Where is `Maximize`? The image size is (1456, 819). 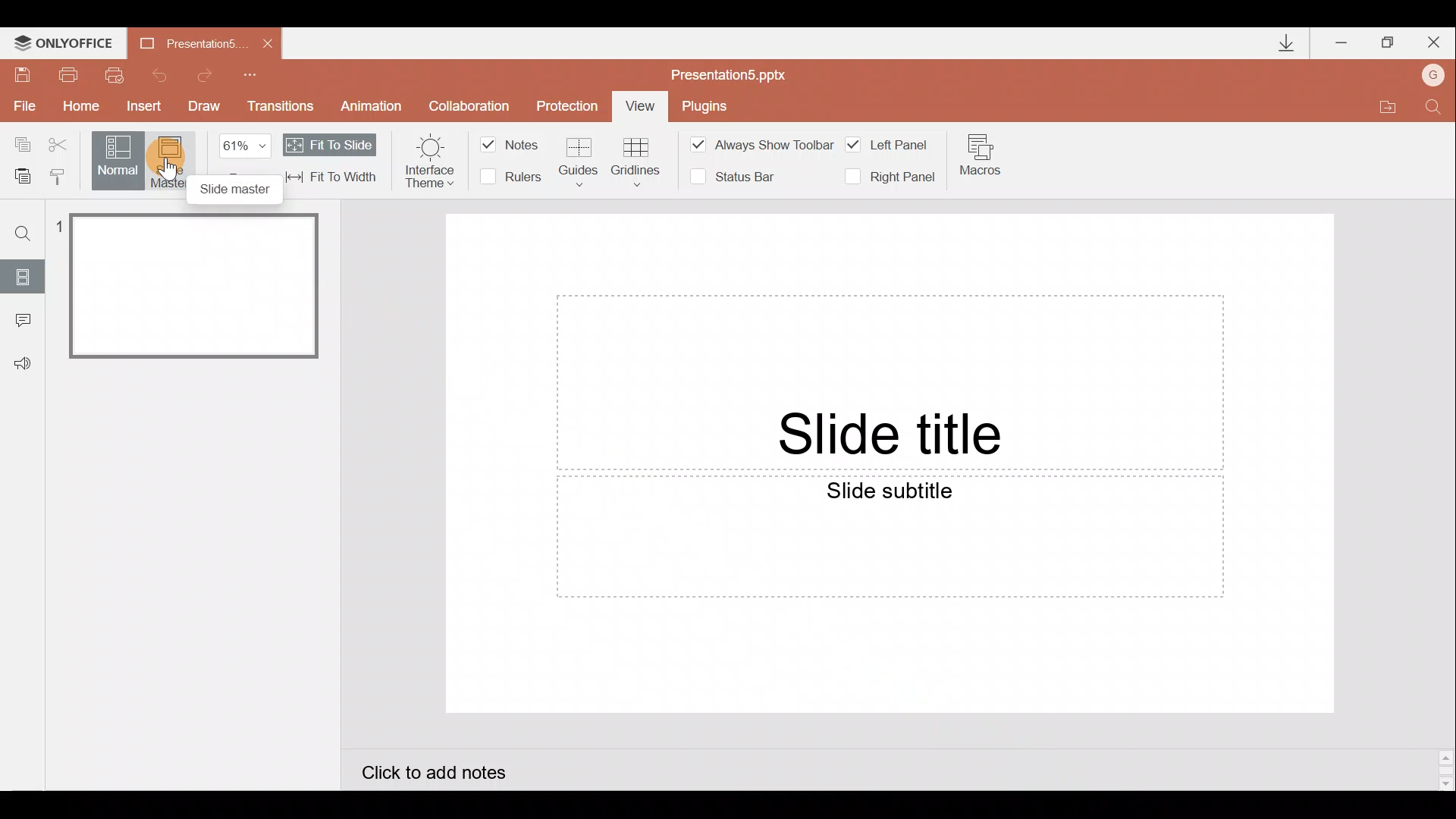
Maximize is located at coordinates (1389, 40).